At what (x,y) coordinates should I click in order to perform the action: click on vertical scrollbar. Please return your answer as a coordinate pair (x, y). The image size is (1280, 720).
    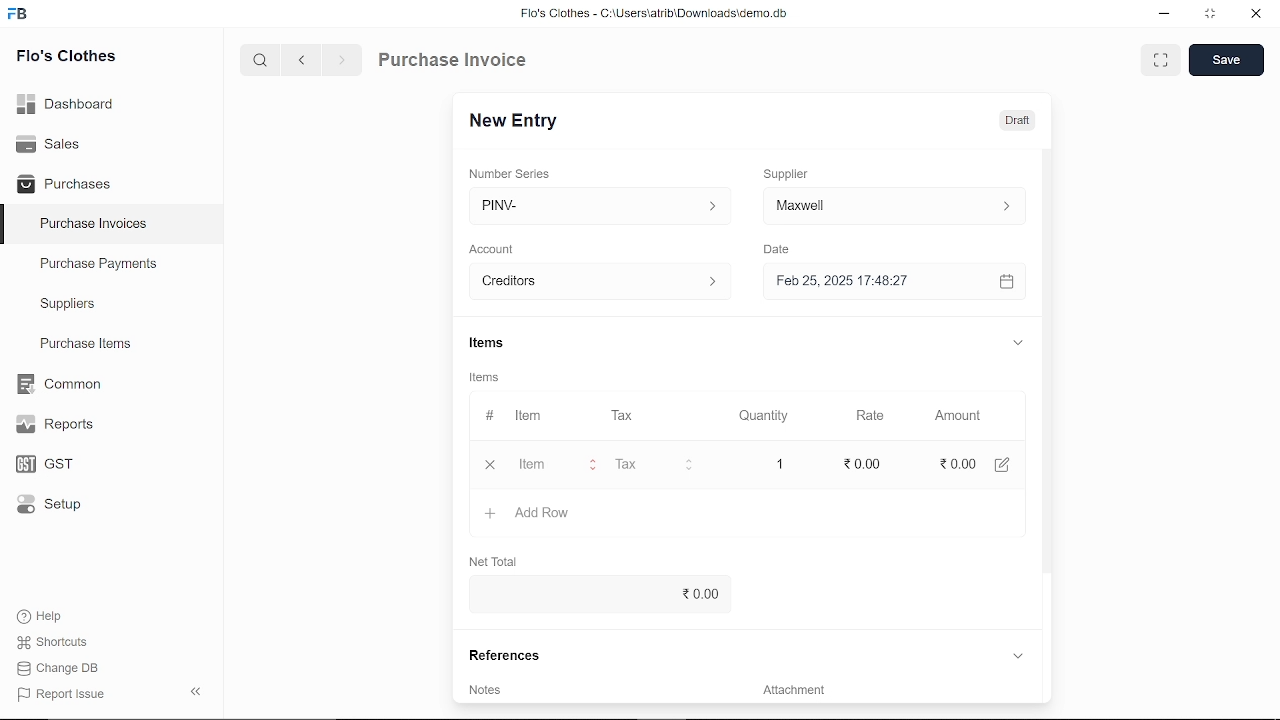
    Looking at the image, I should click on (1045, 360).